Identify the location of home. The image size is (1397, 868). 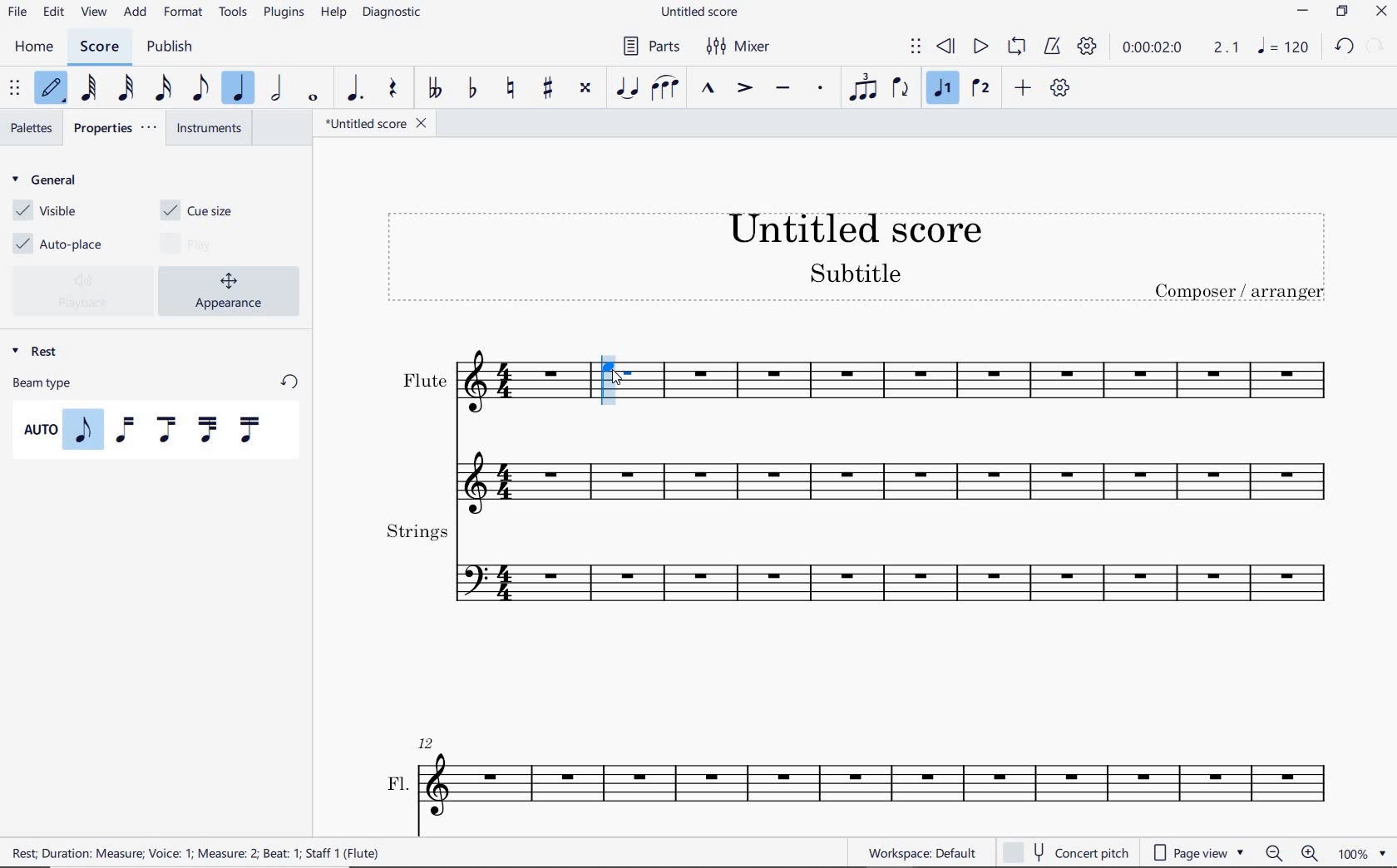
(35, 47).